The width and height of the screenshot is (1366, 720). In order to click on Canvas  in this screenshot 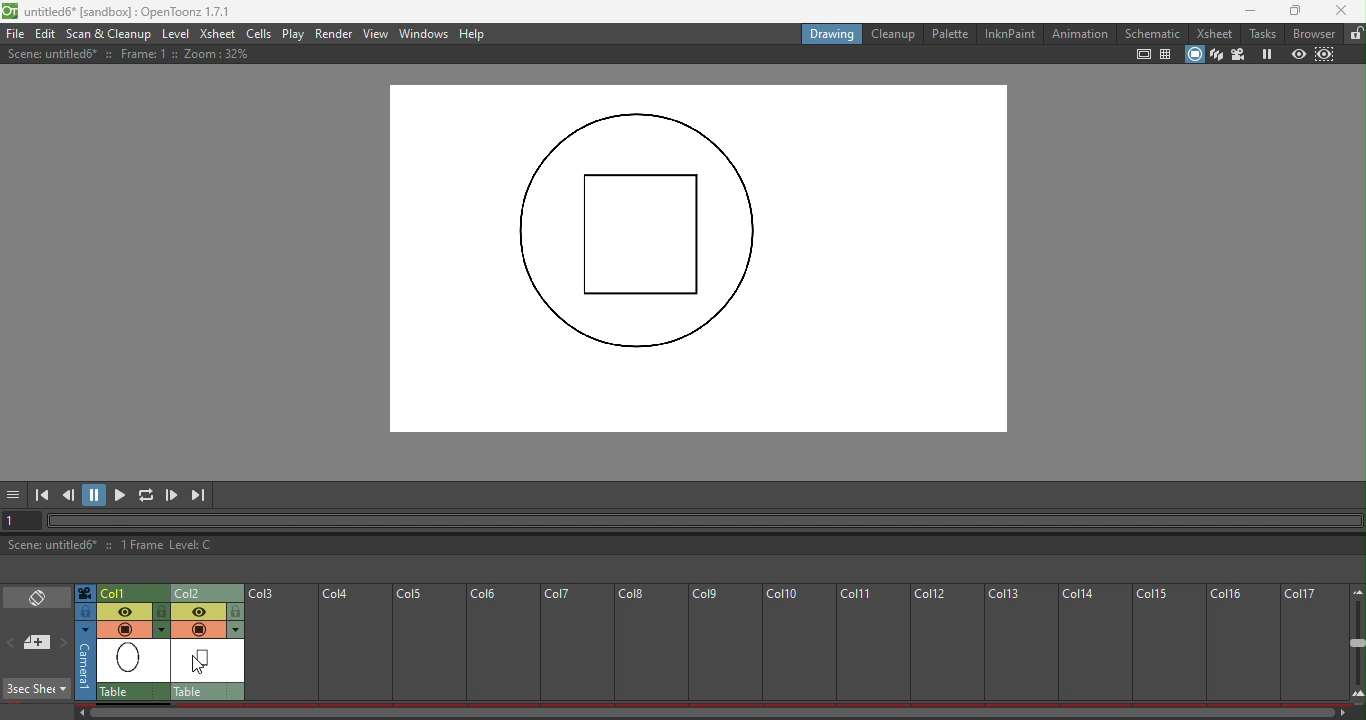, I will do `click(694, 261)`.